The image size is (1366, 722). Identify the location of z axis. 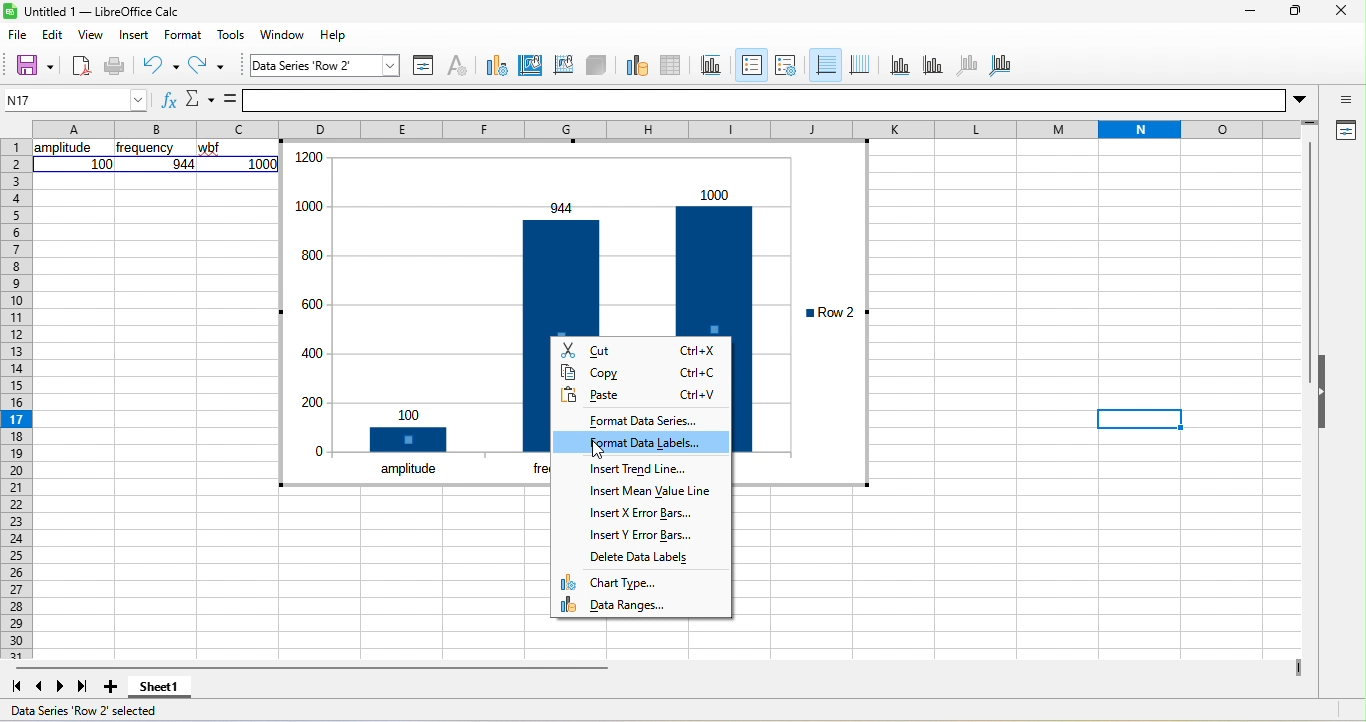
(974, 66).